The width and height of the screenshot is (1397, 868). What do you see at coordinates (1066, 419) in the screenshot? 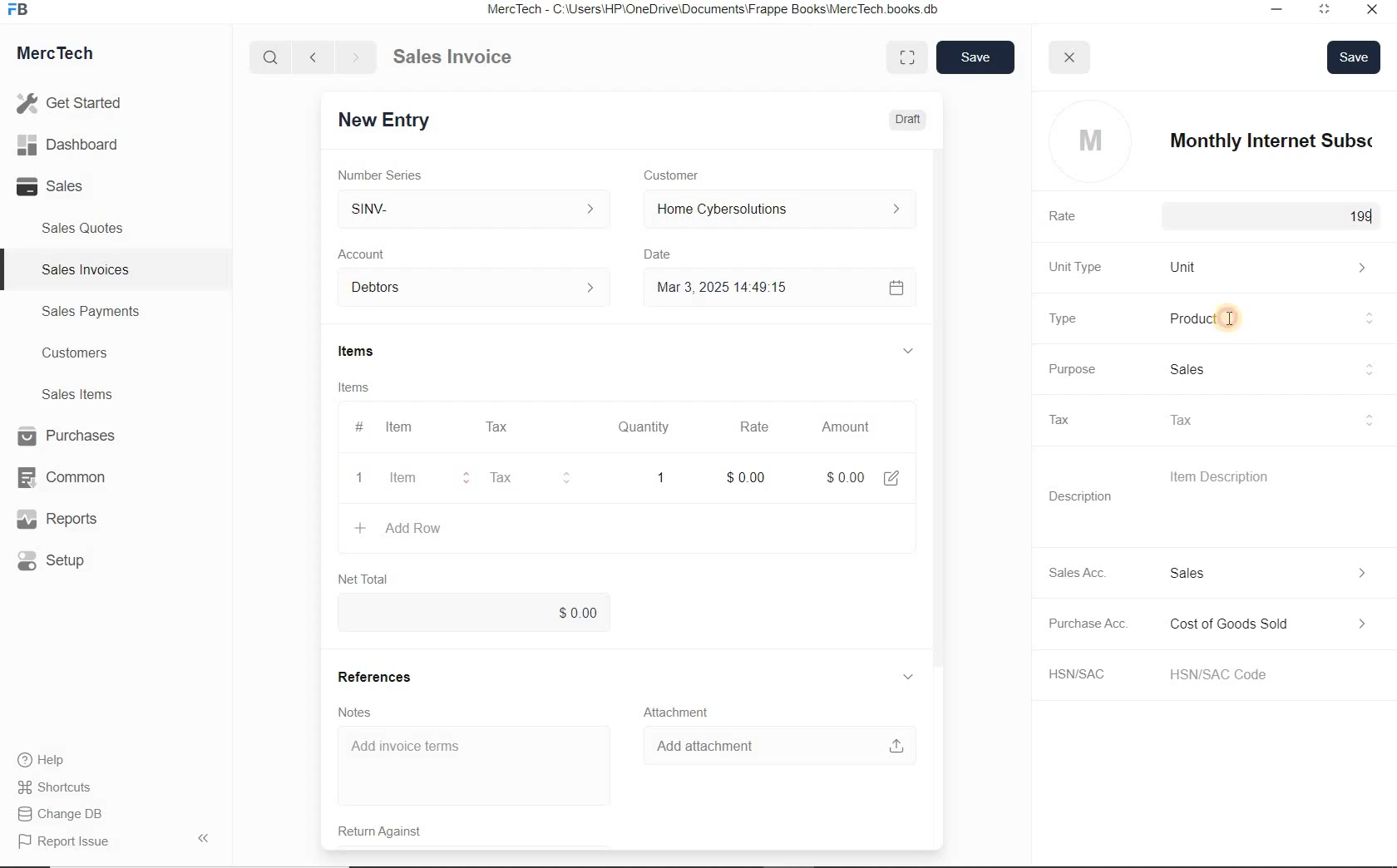
I see `Tax` at bounding box center [1066, 419].